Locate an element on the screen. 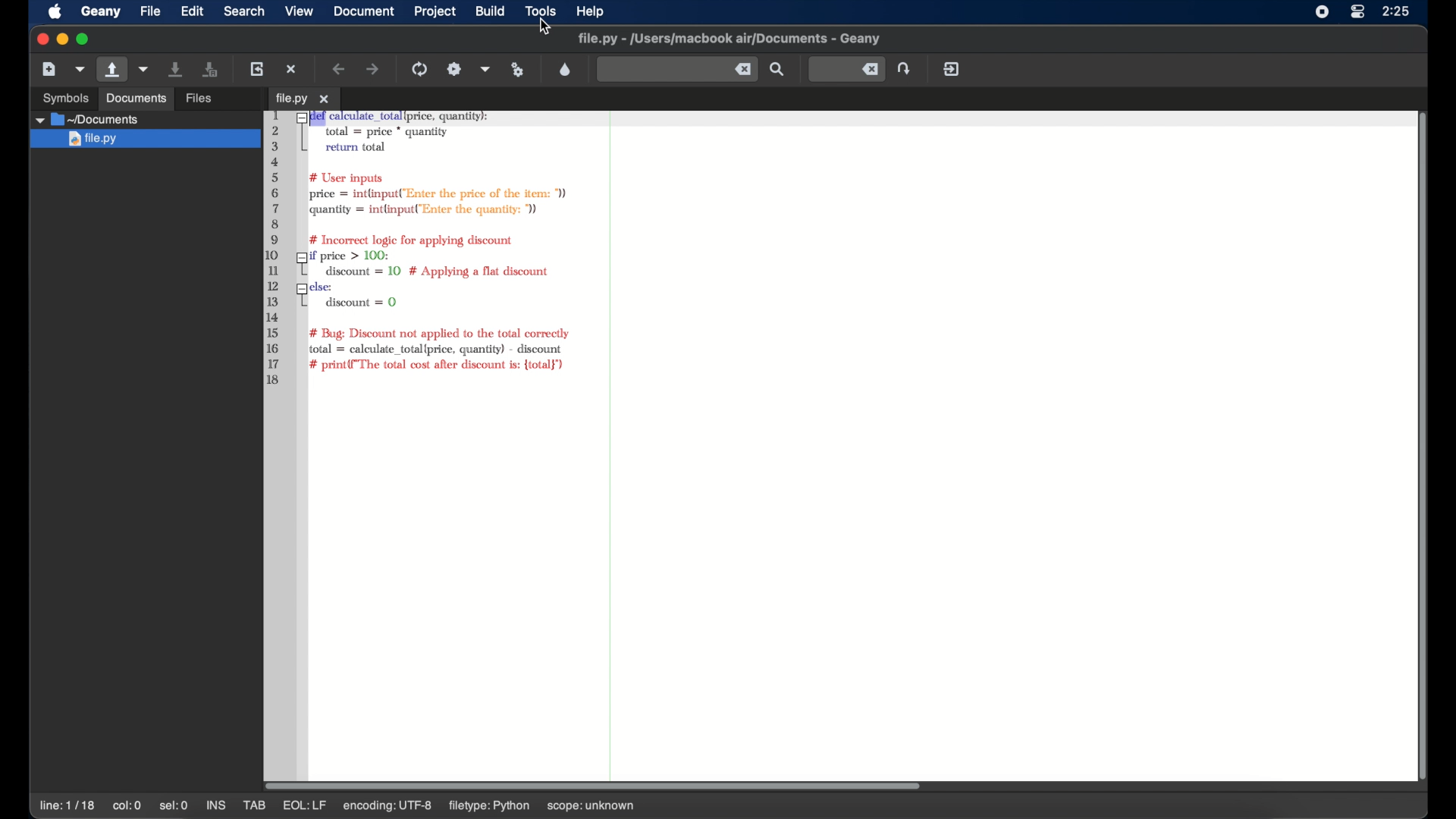 This screenshot has width=1456, height=819. control center is located at coordinates (1357, 11).